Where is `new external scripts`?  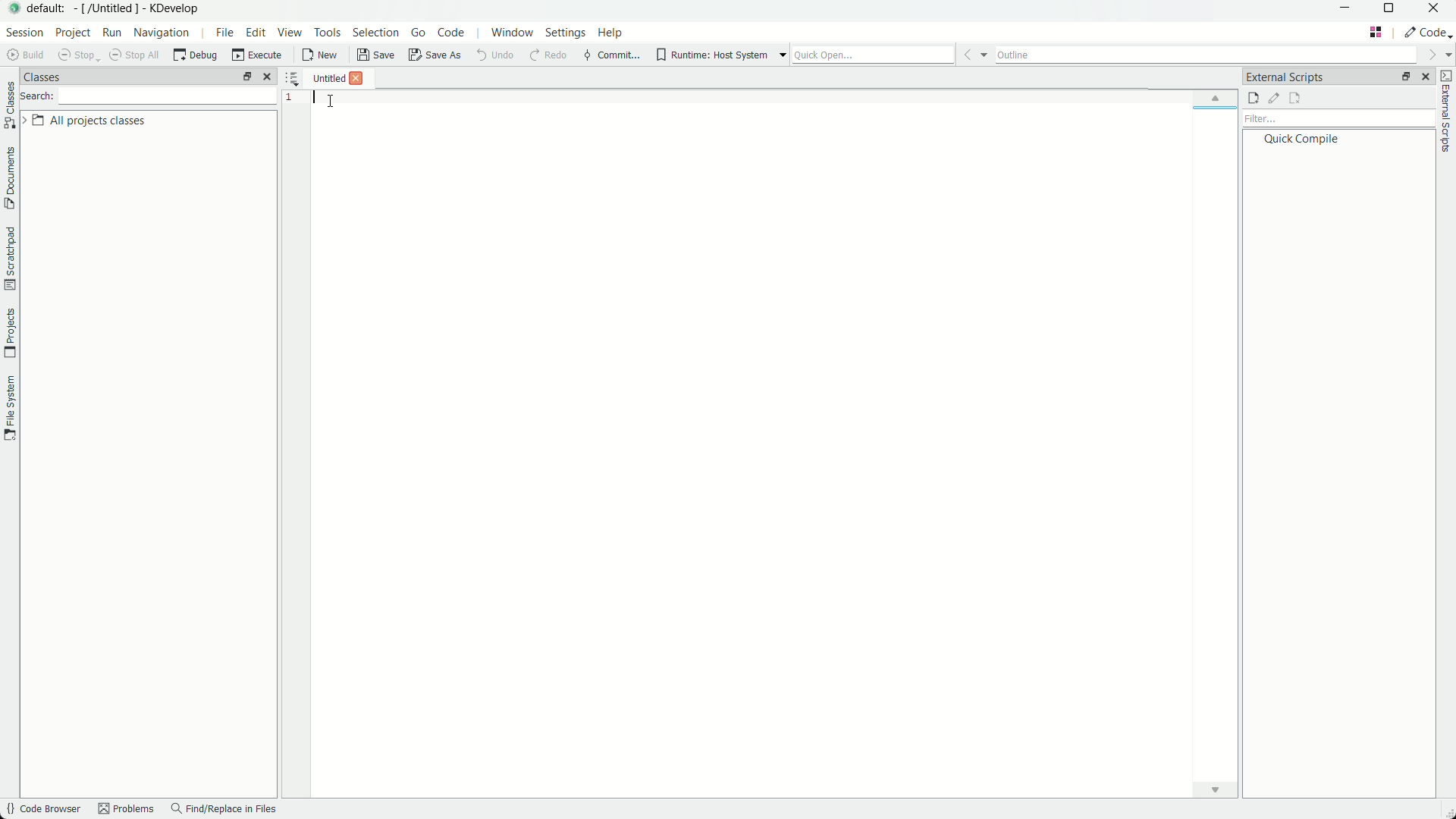 new external scripts is located at coordinates (1253, 99).